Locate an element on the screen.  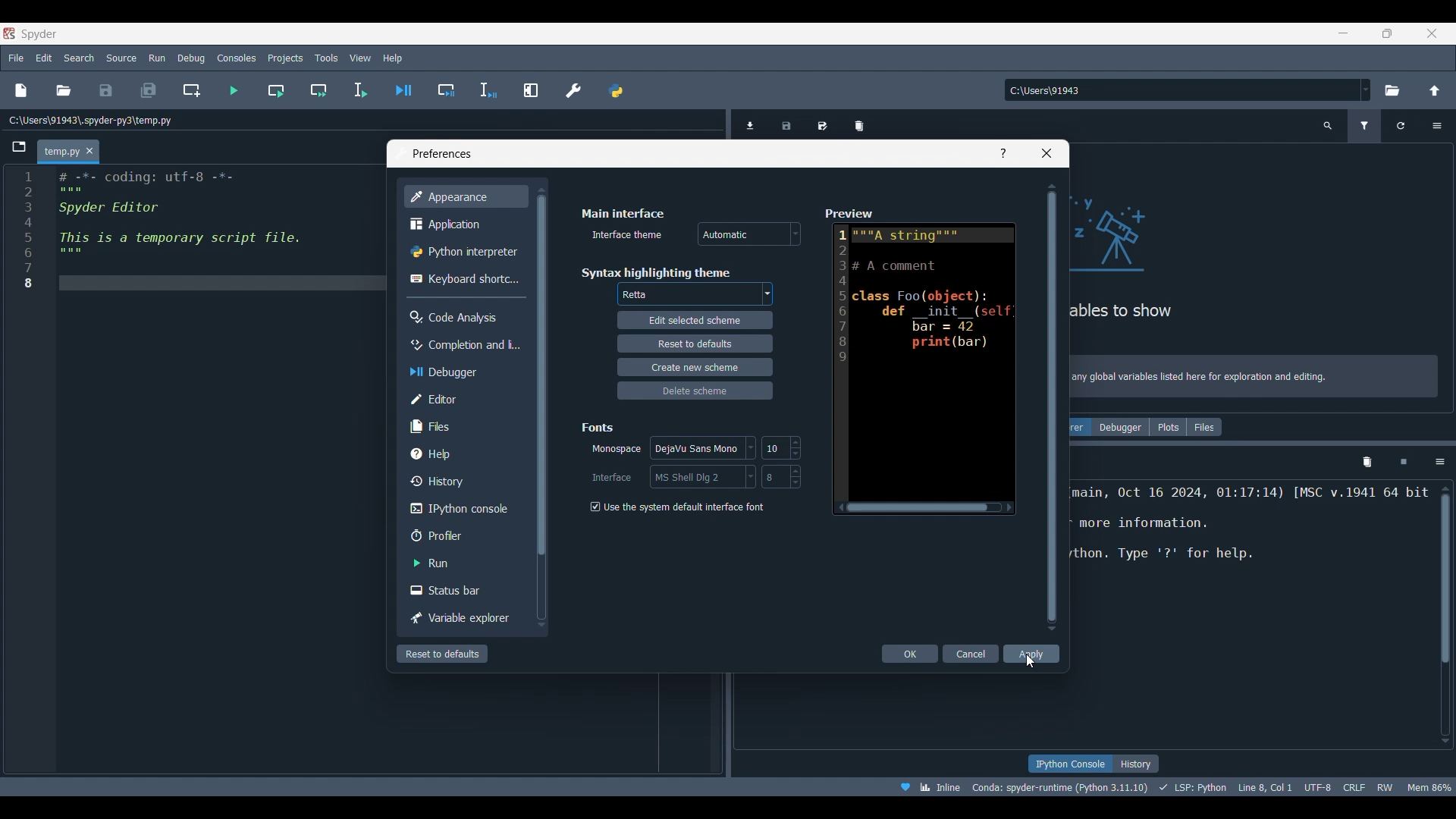
variable explorer pane is located at coordinates (1256, 249).